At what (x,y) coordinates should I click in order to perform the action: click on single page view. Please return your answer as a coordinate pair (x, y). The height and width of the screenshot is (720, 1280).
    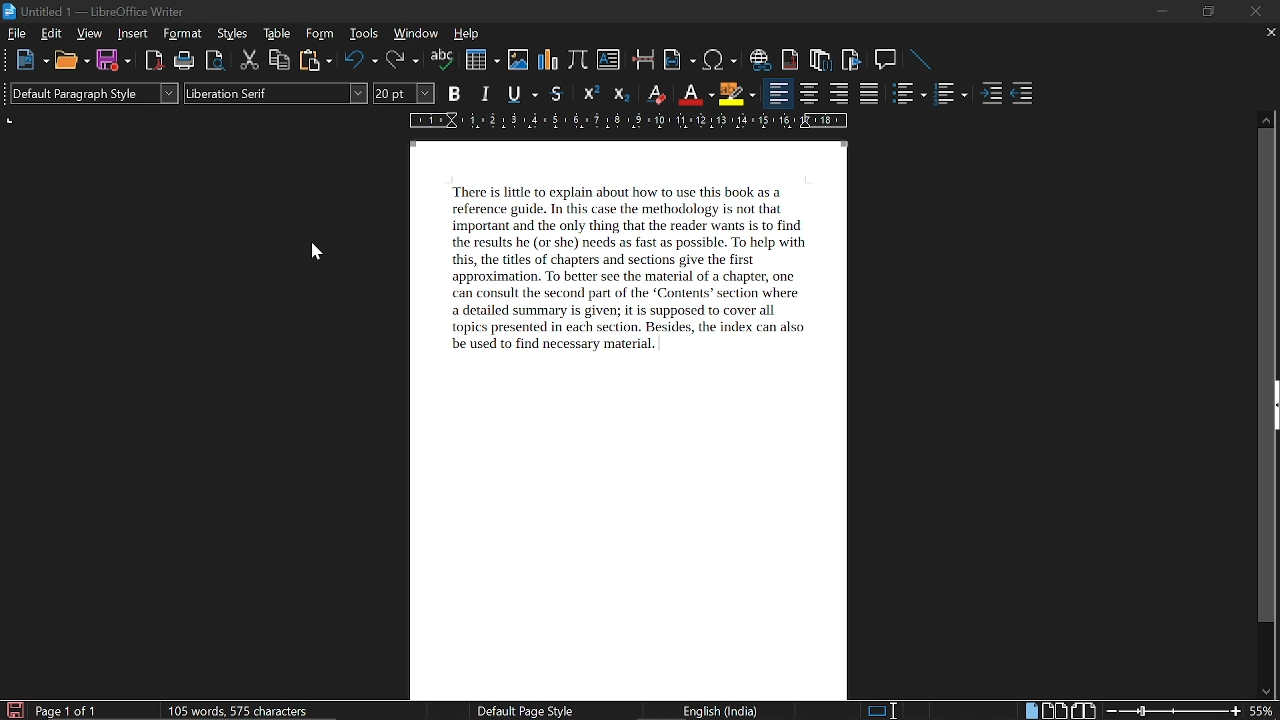
    Looking at the image, I should click on (1030, 710).